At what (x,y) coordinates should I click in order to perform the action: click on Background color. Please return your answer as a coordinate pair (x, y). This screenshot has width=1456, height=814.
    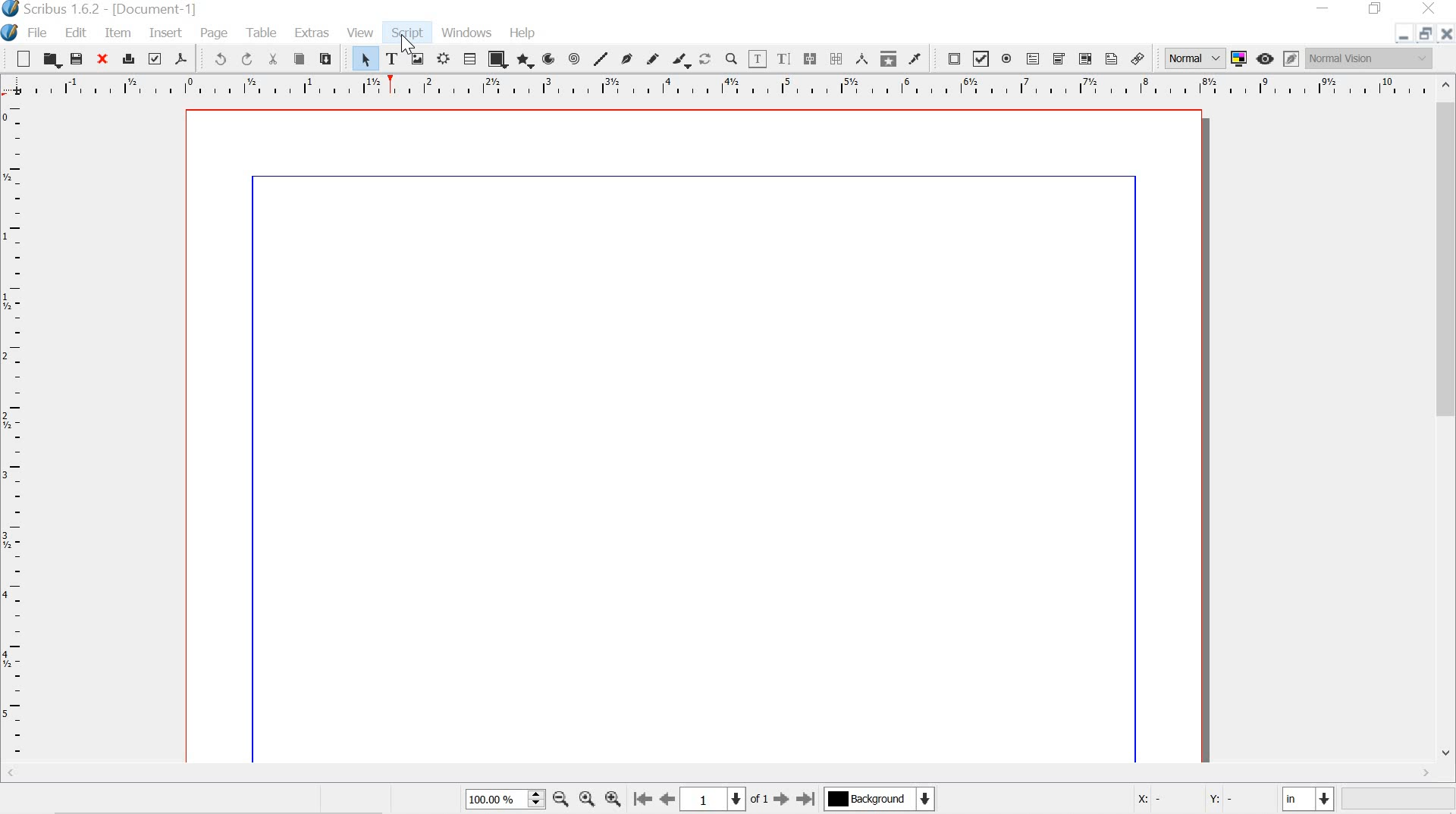
    Looking at the image, I should click on (878, 799).